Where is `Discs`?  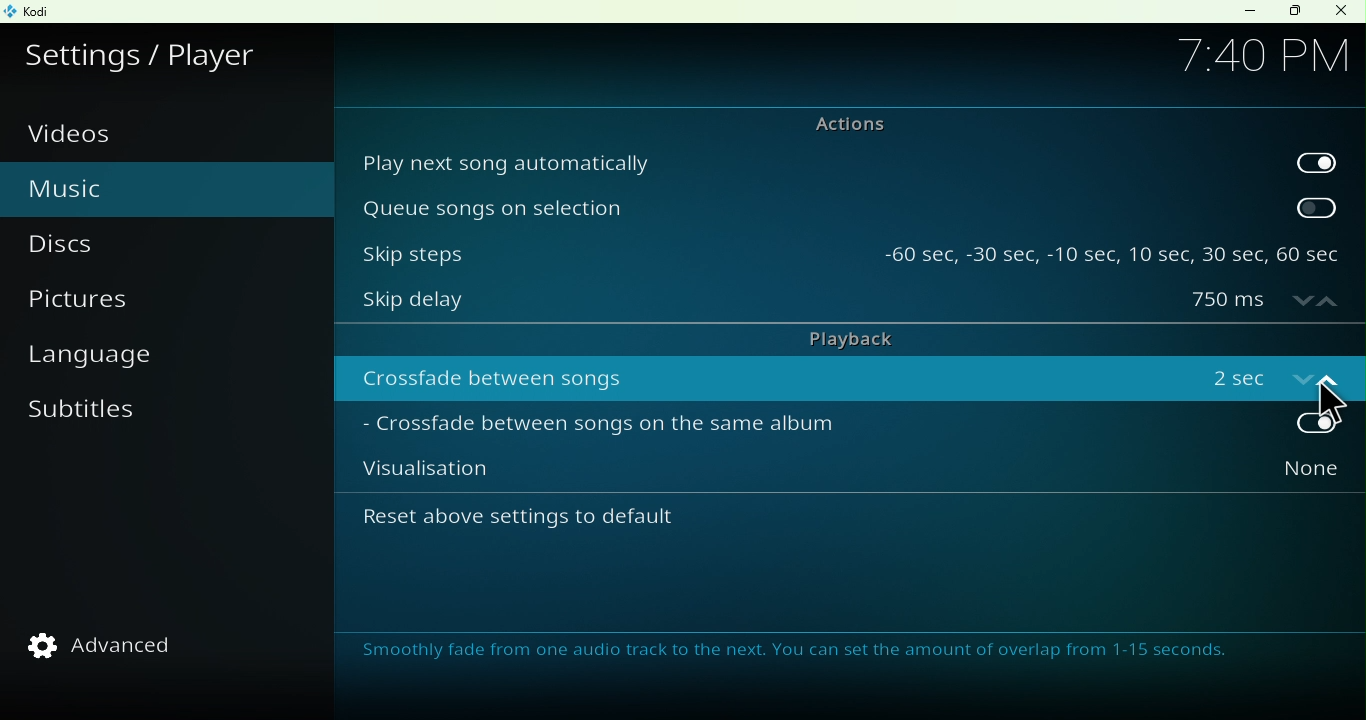 Discs is located at coordinates (91, 245).